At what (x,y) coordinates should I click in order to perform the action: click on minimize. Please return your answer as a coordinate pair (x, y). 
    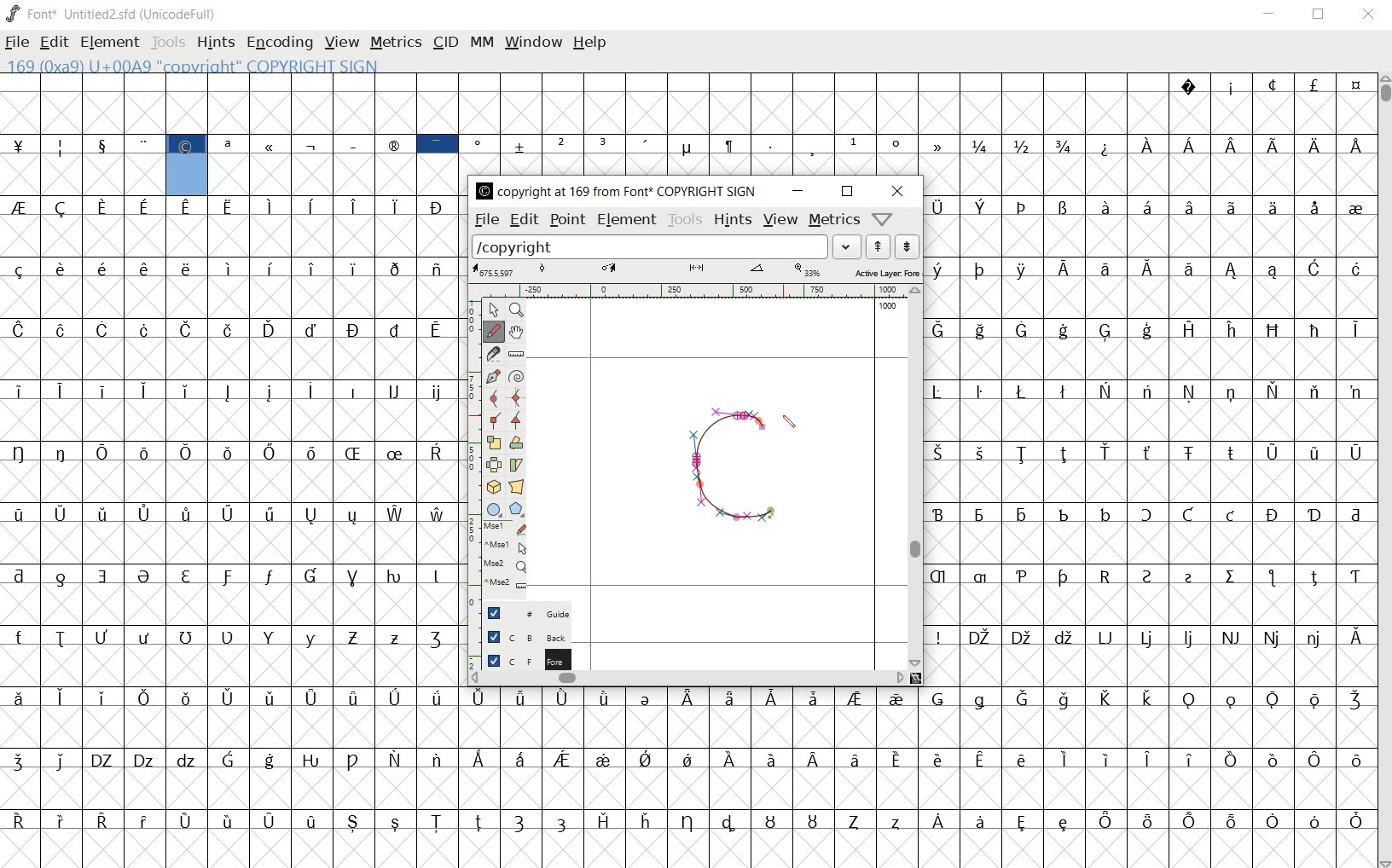
    Looking at the image, I should click on (1269, 14).